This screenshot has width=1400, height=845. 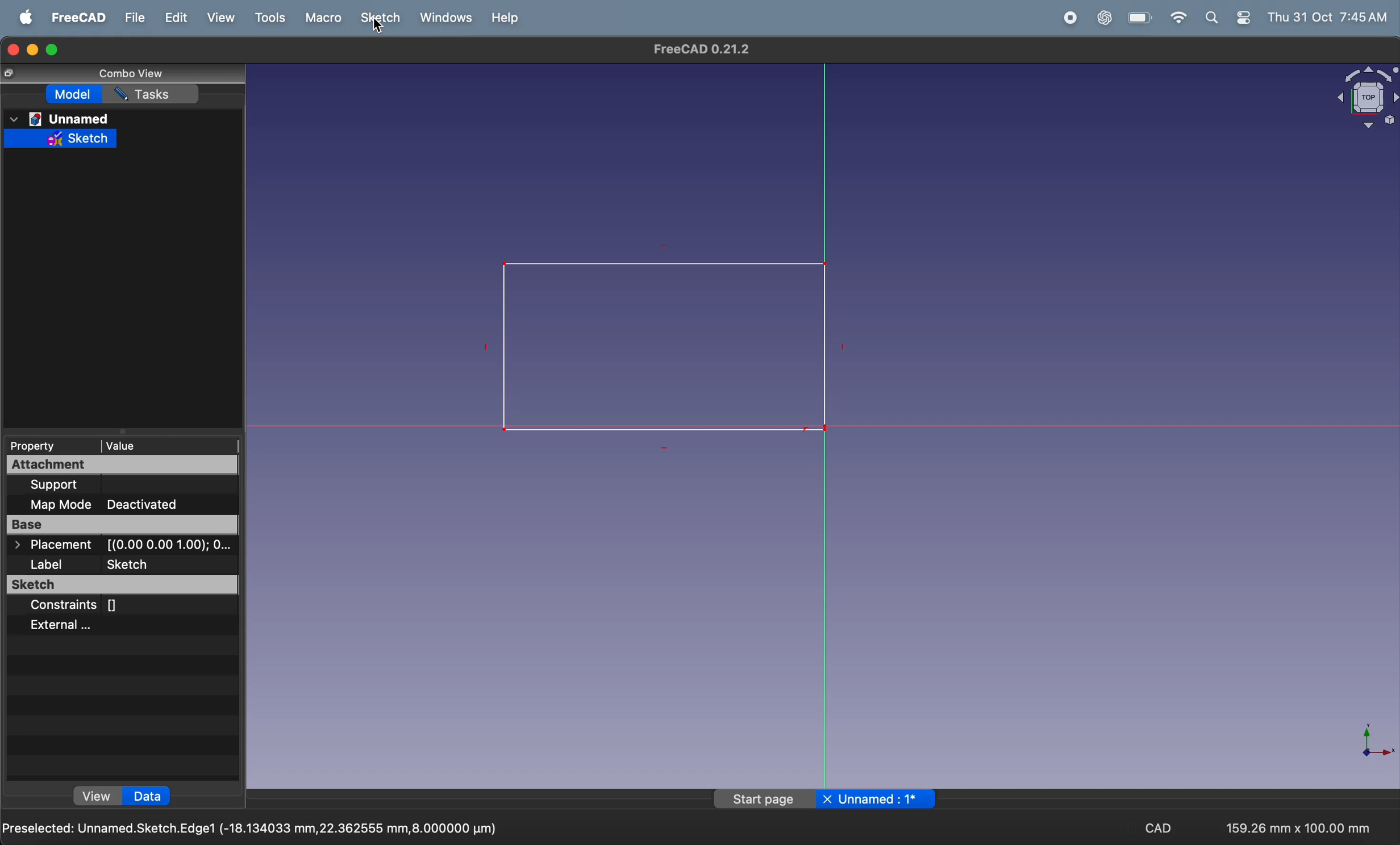 What do you see at coordinates (124, 564) in the screenshot?
I see `label` at bounding box center [124, 564].